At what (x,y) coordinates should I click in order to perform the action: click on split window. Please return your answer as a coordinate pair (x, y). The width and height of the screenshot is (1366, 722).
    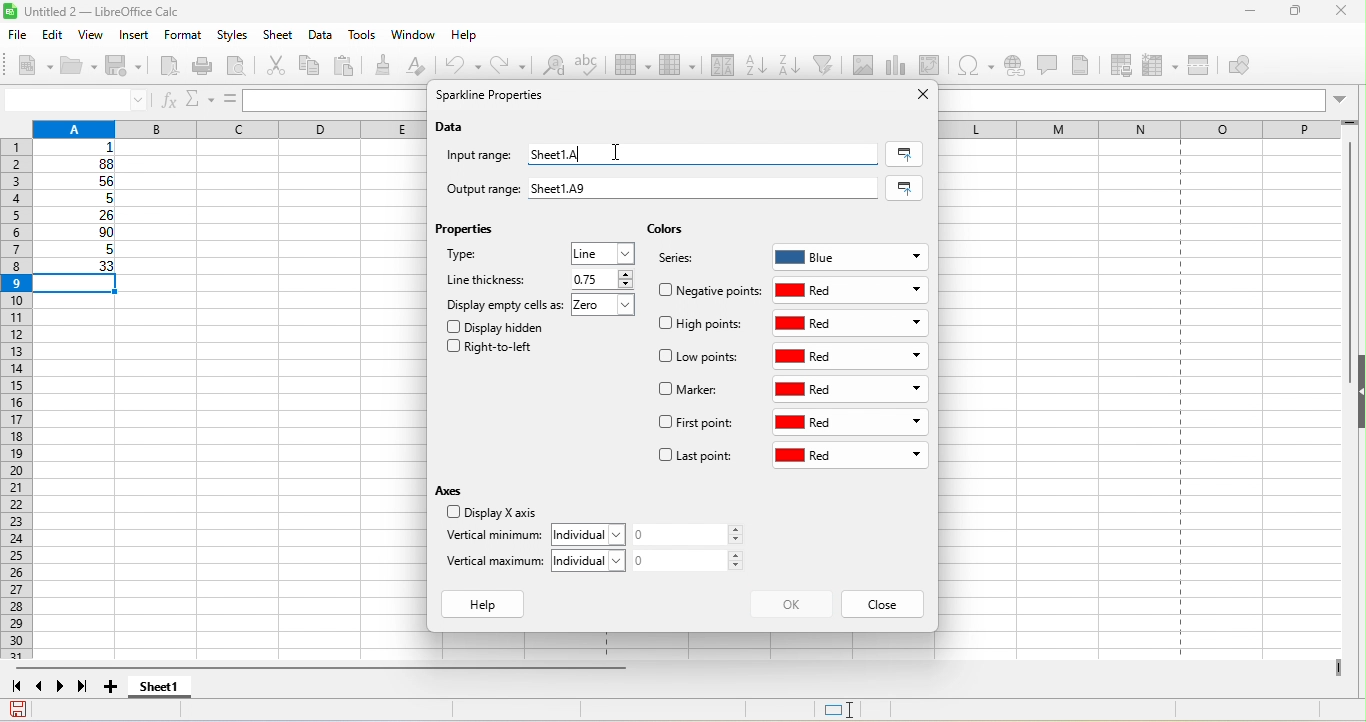
    Looking at the image, I should click on (1203, 66).